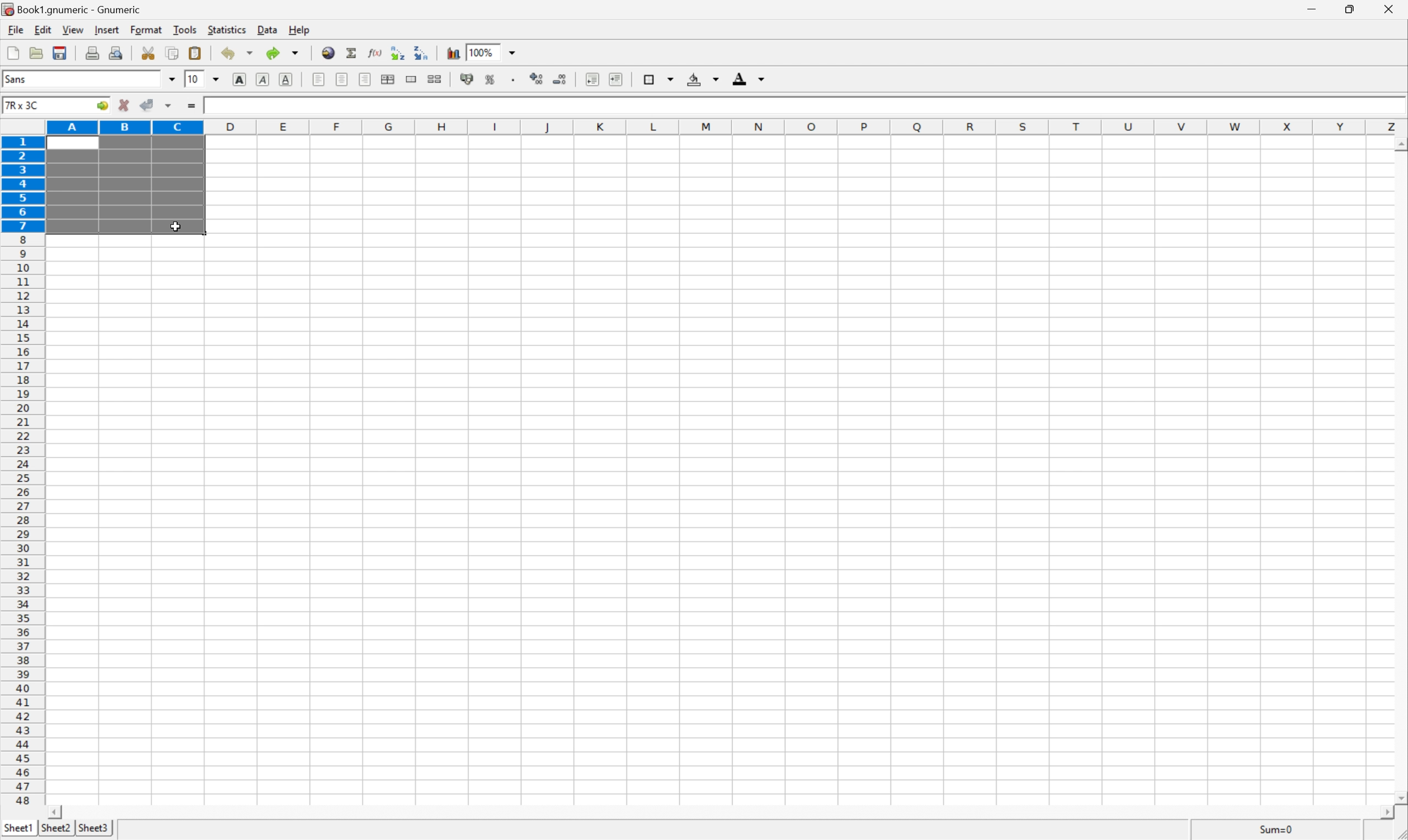 The height and width of the screenshot is (840, 1408). I want to click on column numbers, so click(727, 126).